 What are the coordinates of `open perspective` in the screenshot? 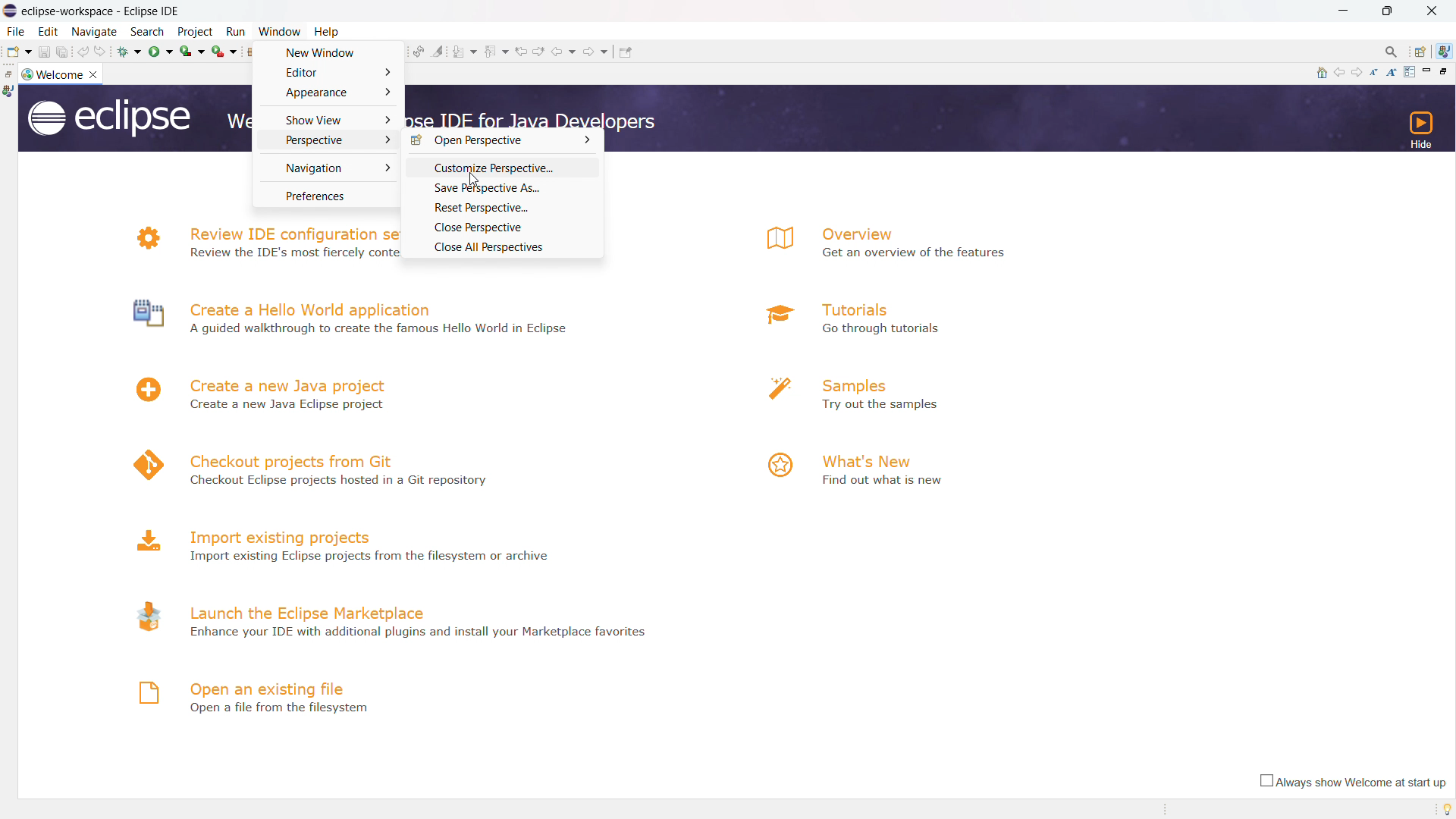 It's located at (503, 140).